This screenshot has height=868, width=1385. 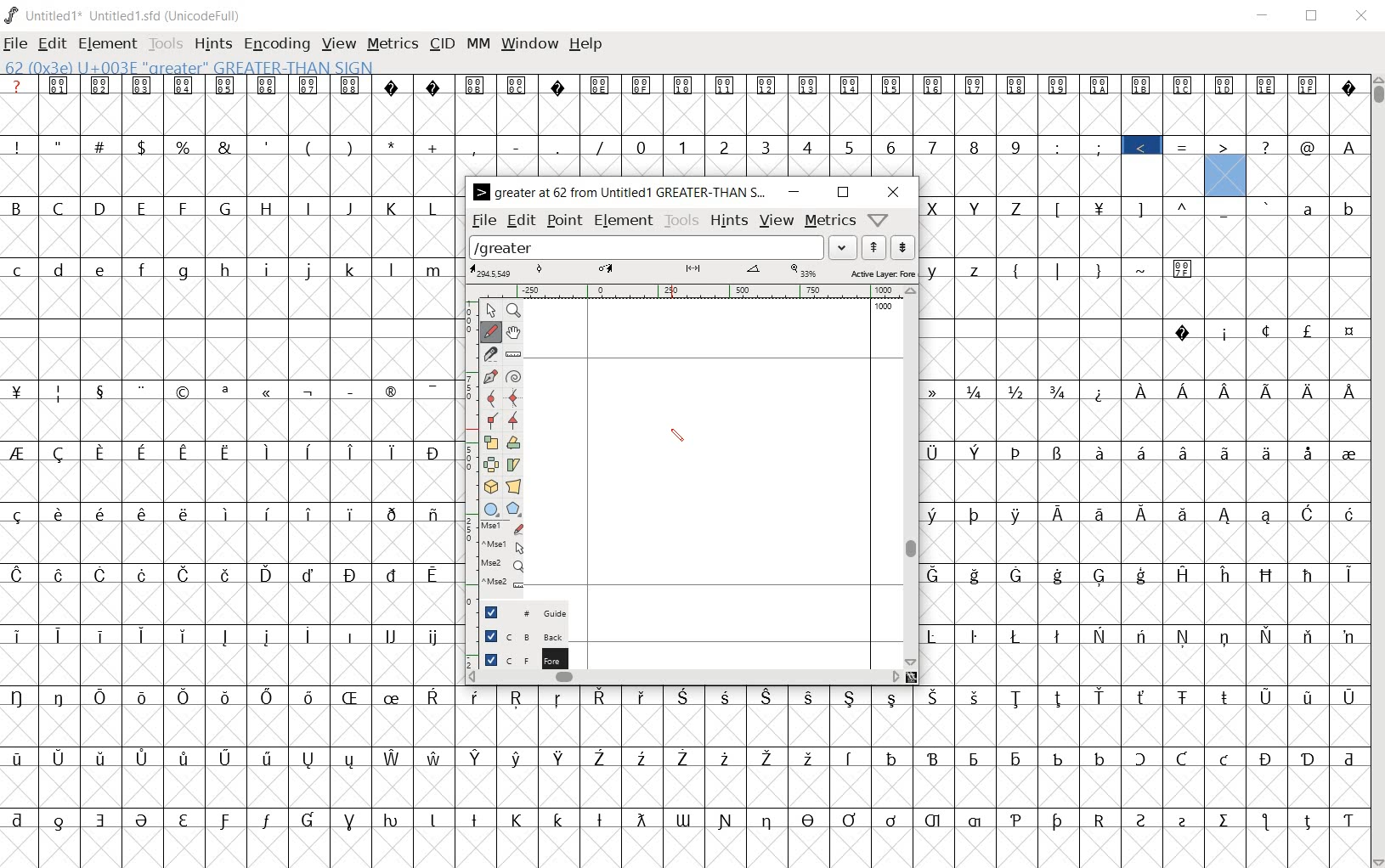 I want to click on view, so click(x=340, y=45).